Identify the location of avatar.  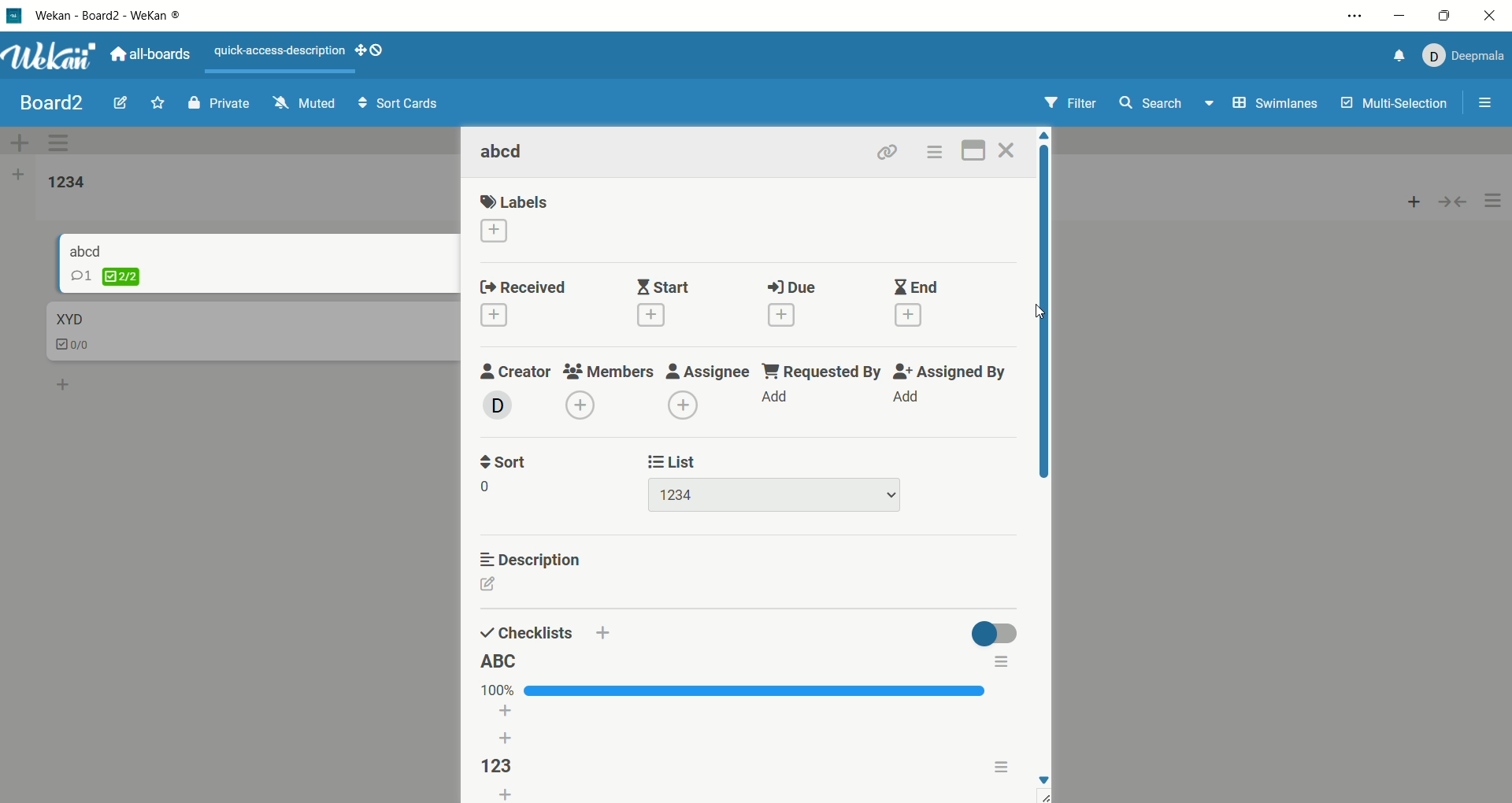
(498, 405).